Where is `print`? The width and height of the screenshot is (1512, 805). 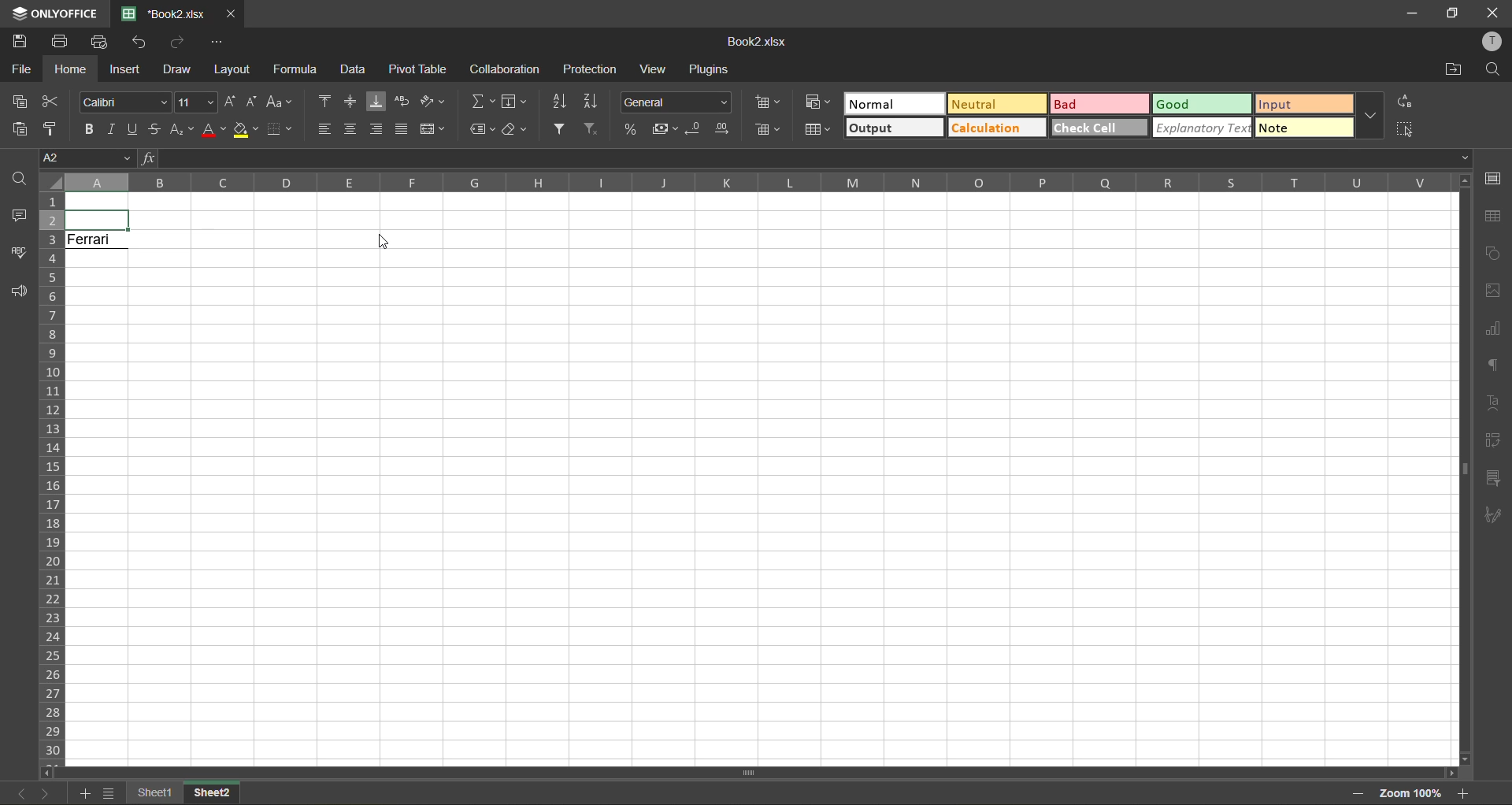
print is located at coordinates (64, 42).